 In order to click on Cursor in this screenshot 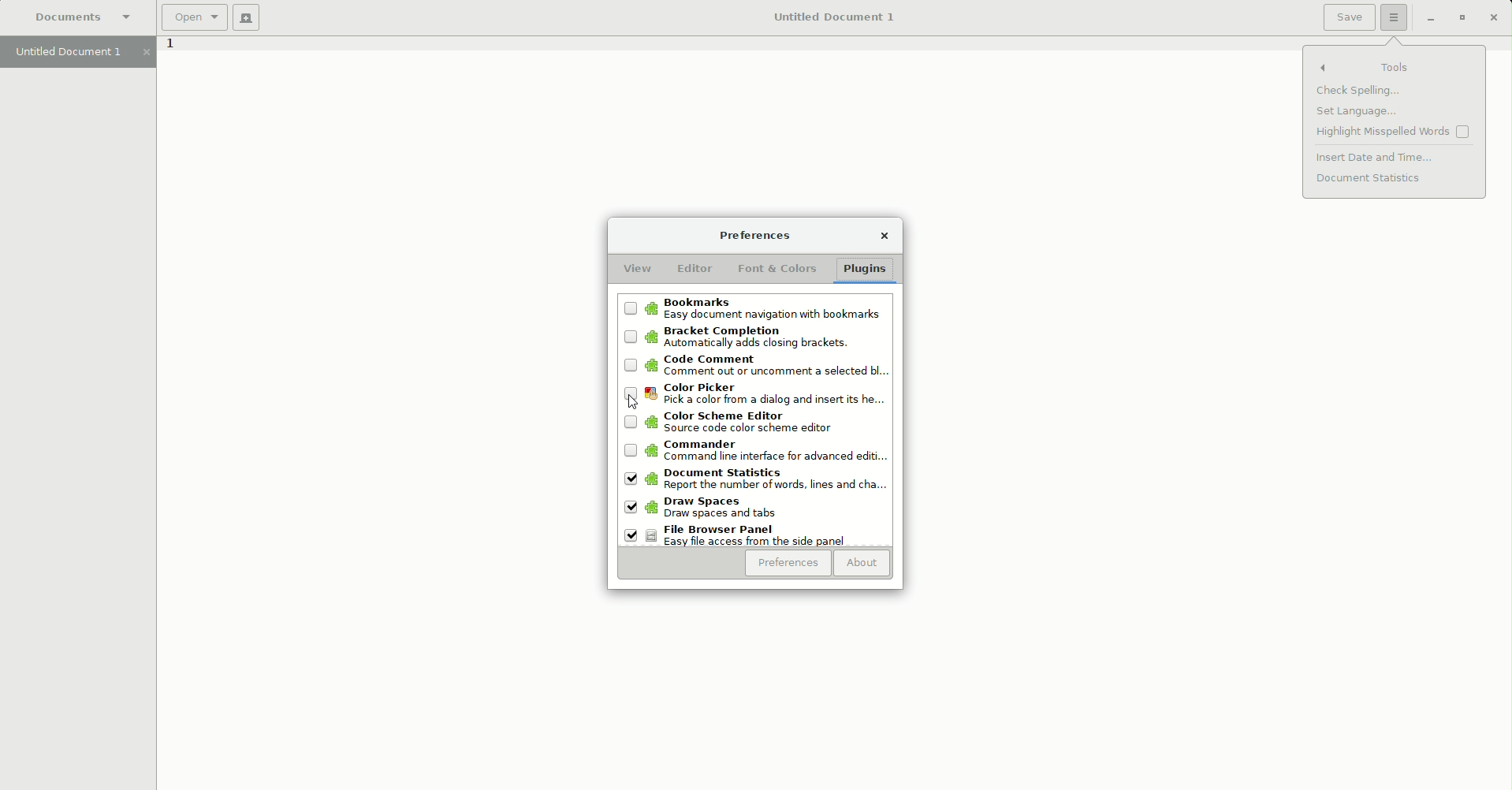, I will do `click(635, 399)`.